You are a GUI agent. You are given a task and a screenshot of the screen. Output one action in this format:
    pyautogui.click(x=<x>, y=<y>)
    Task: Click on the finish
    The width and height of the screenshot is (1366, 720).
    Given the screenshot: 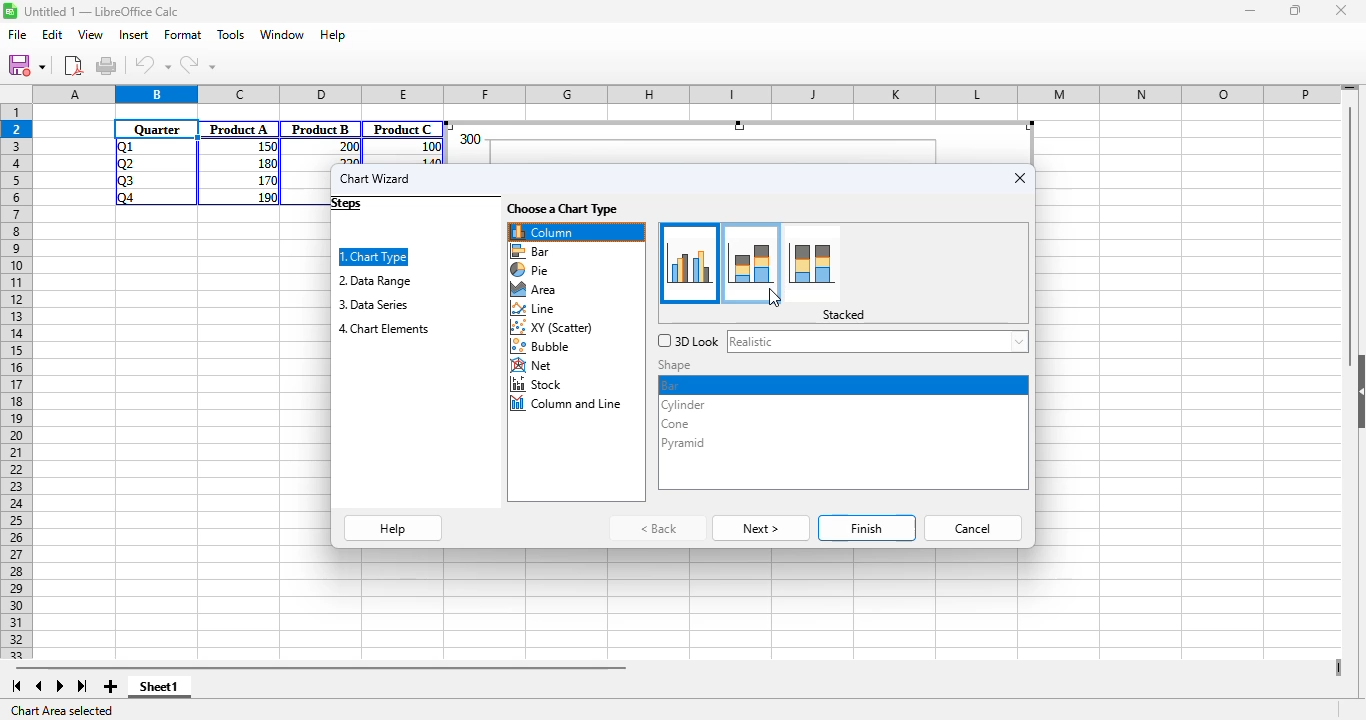 What is the action you would take?
    pyautogui.click(x=868, y=528)
    